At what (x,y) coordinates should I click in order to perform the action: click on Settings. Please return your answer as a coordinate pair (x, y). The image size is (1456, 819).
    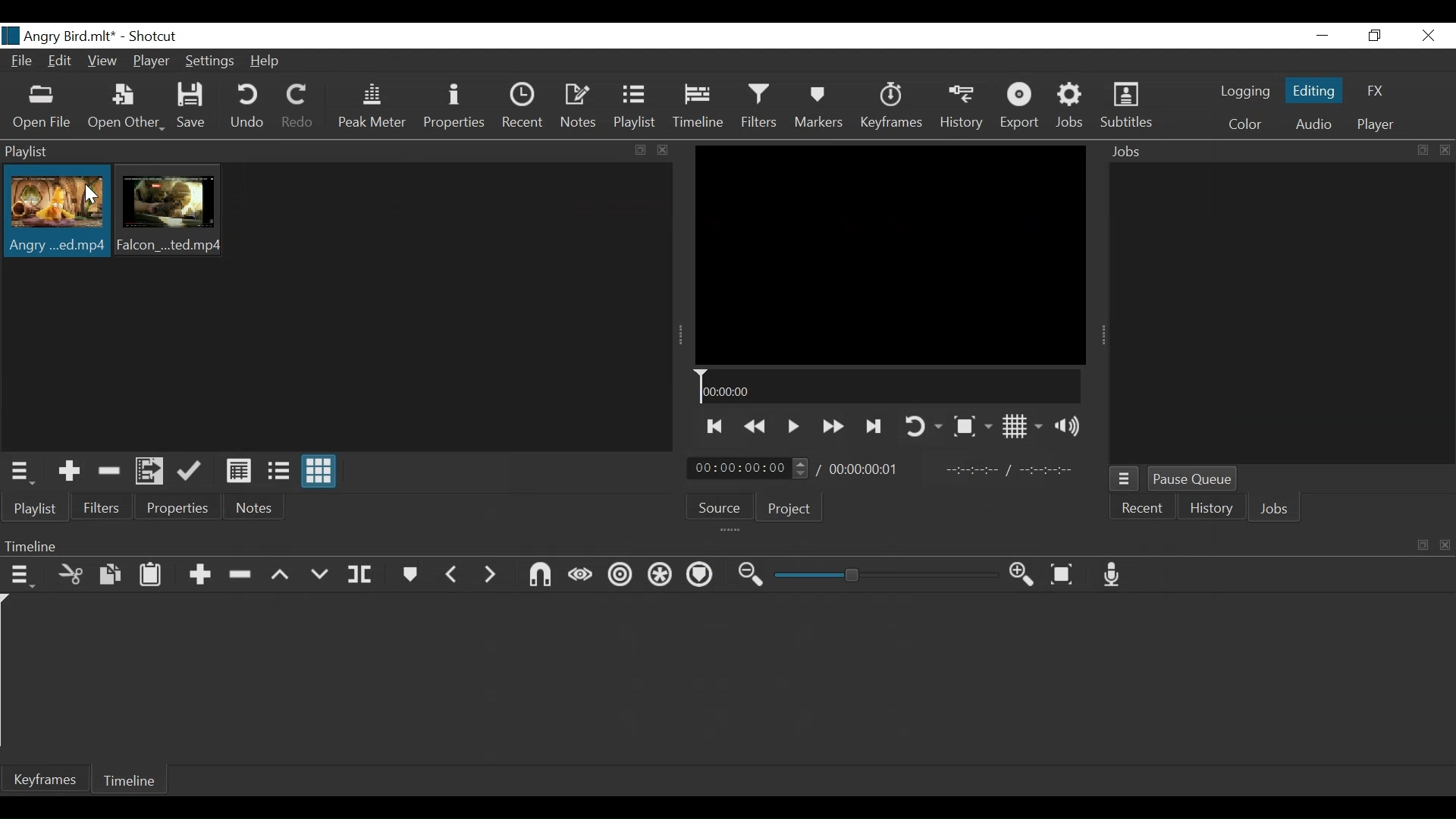
    Looking at the image, I should click on (212, 62).